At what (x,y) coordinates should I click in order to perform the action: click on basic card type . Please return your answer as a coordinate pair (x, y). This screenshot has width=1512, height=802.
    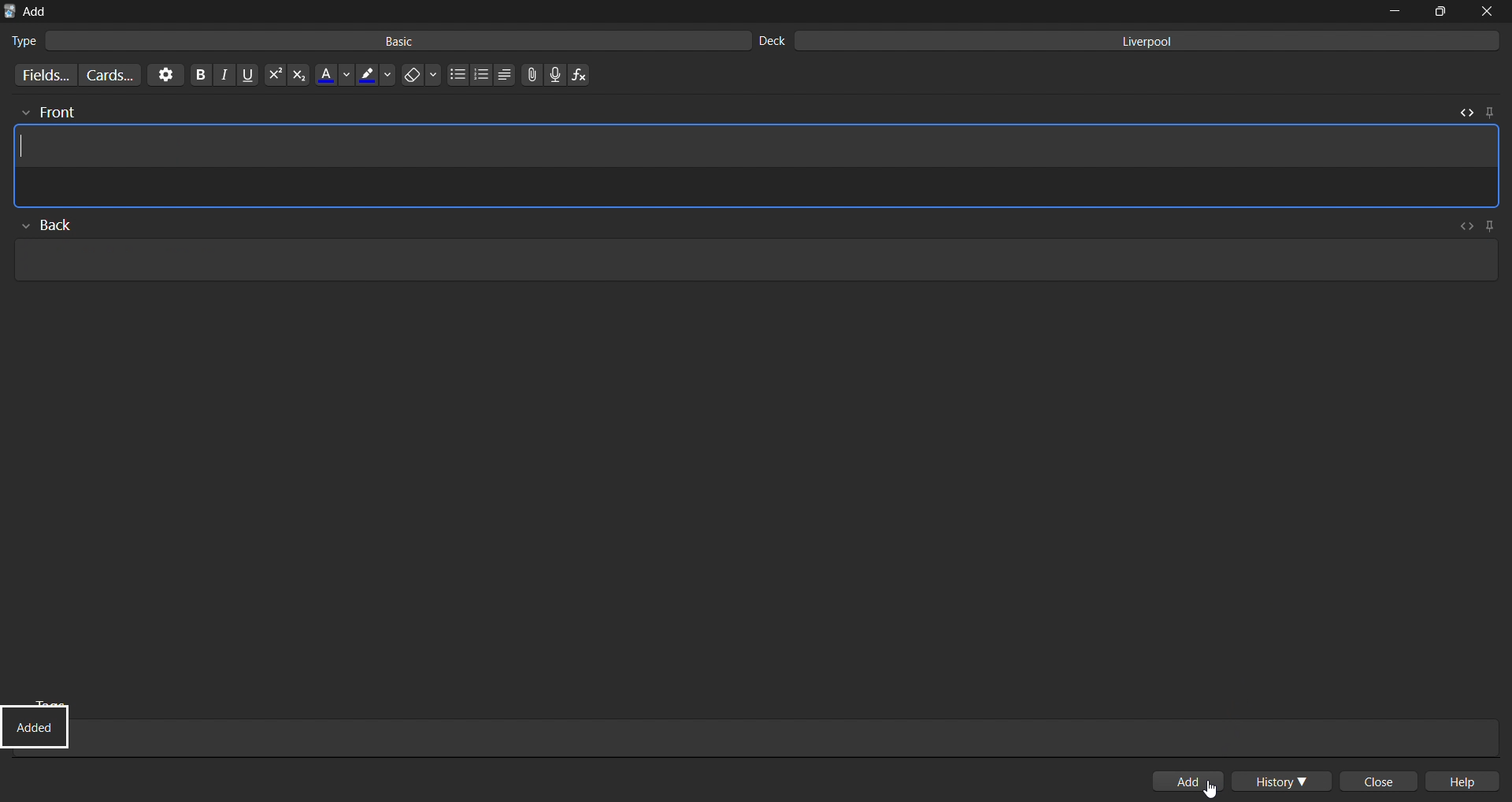
    Looking at the image, I should click on (376, 41).